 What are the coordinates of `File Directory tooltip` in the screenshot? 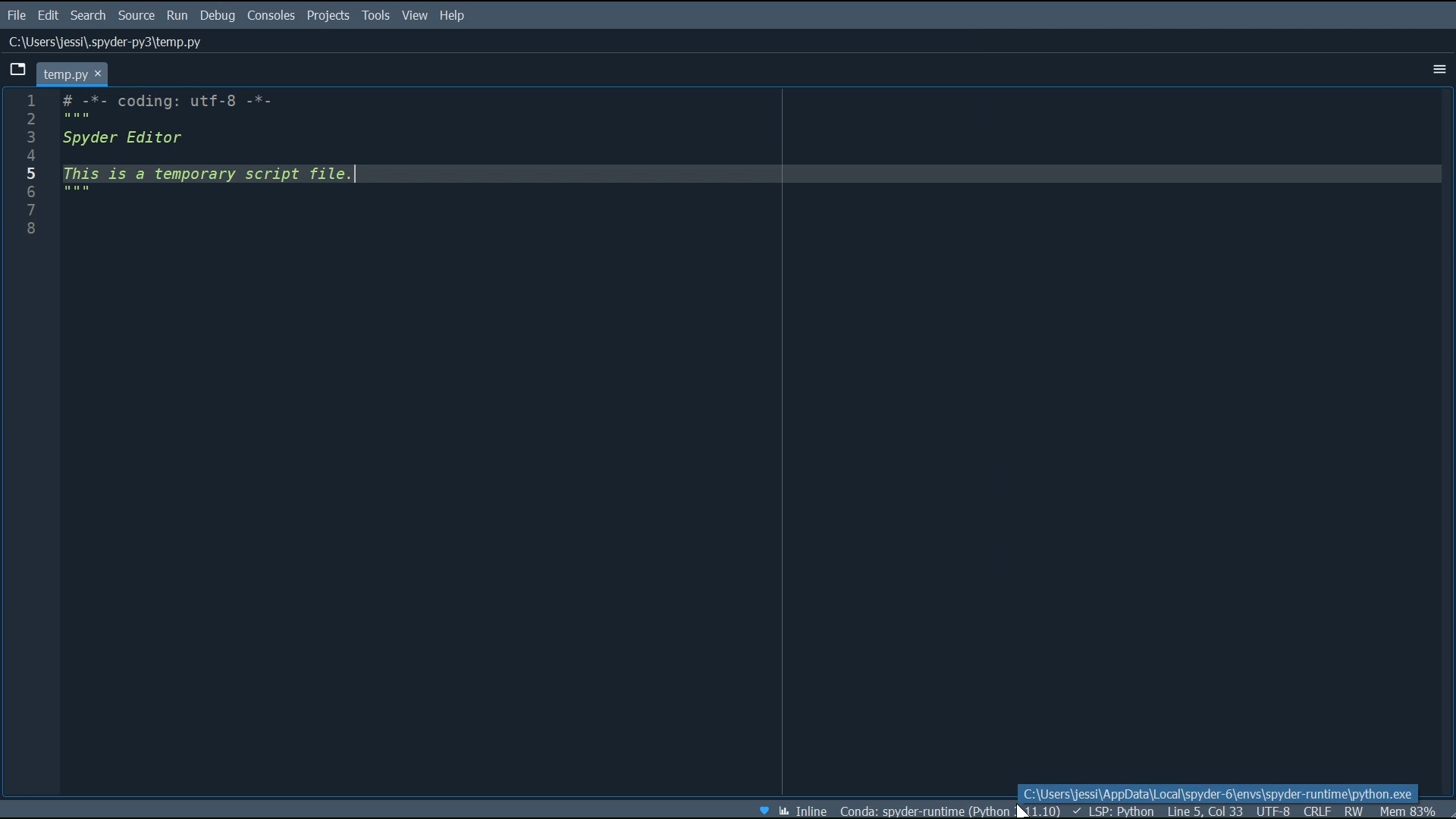 It's located at (1218, 791).